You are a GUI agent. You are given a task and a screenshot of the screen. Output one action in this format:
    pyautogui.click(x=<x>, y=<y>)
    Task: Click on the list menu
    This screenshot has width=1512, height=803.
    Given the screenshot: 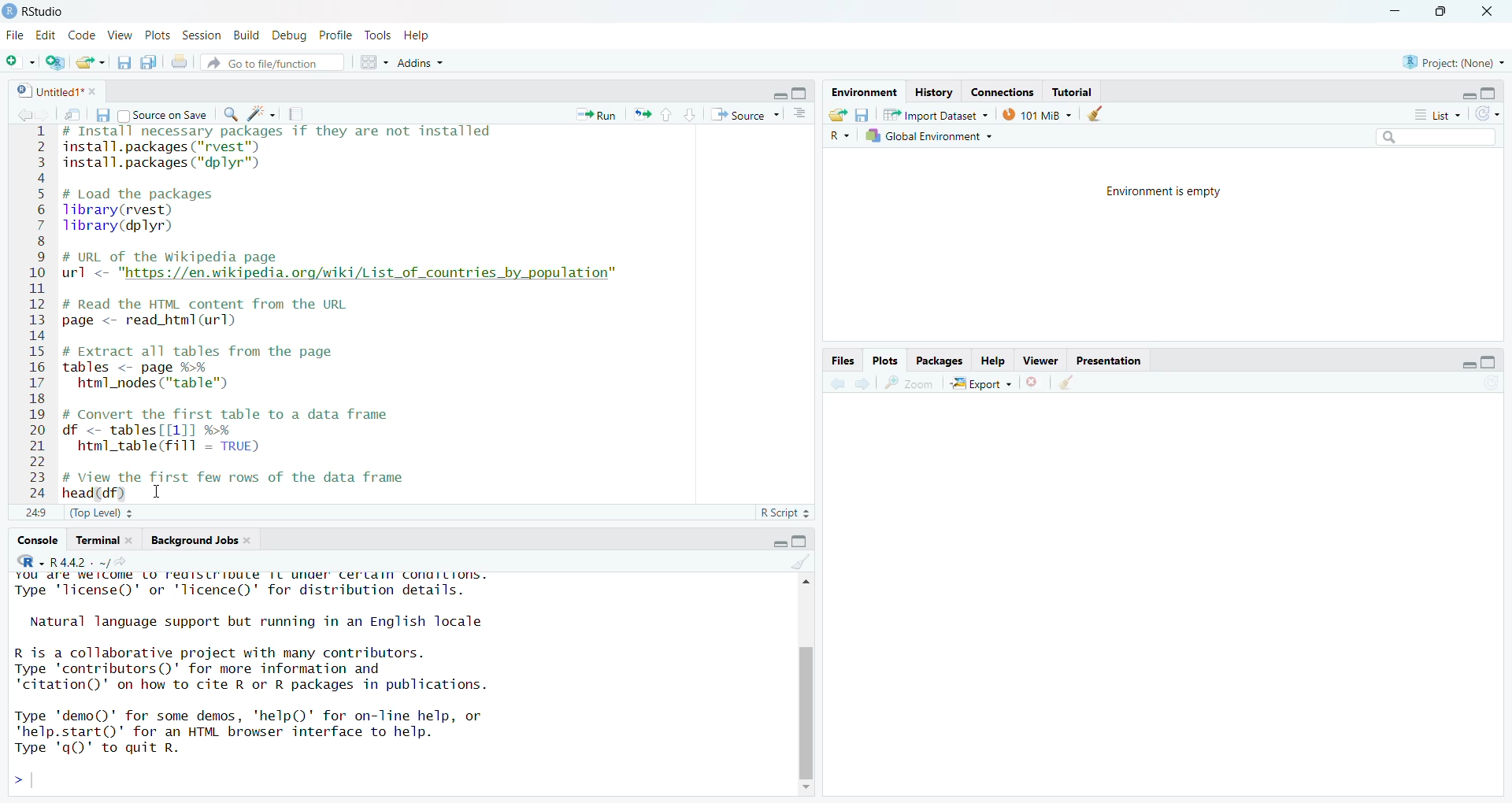 What is the action you would take?
    pyautogui.click(x=1436, y=115)
    